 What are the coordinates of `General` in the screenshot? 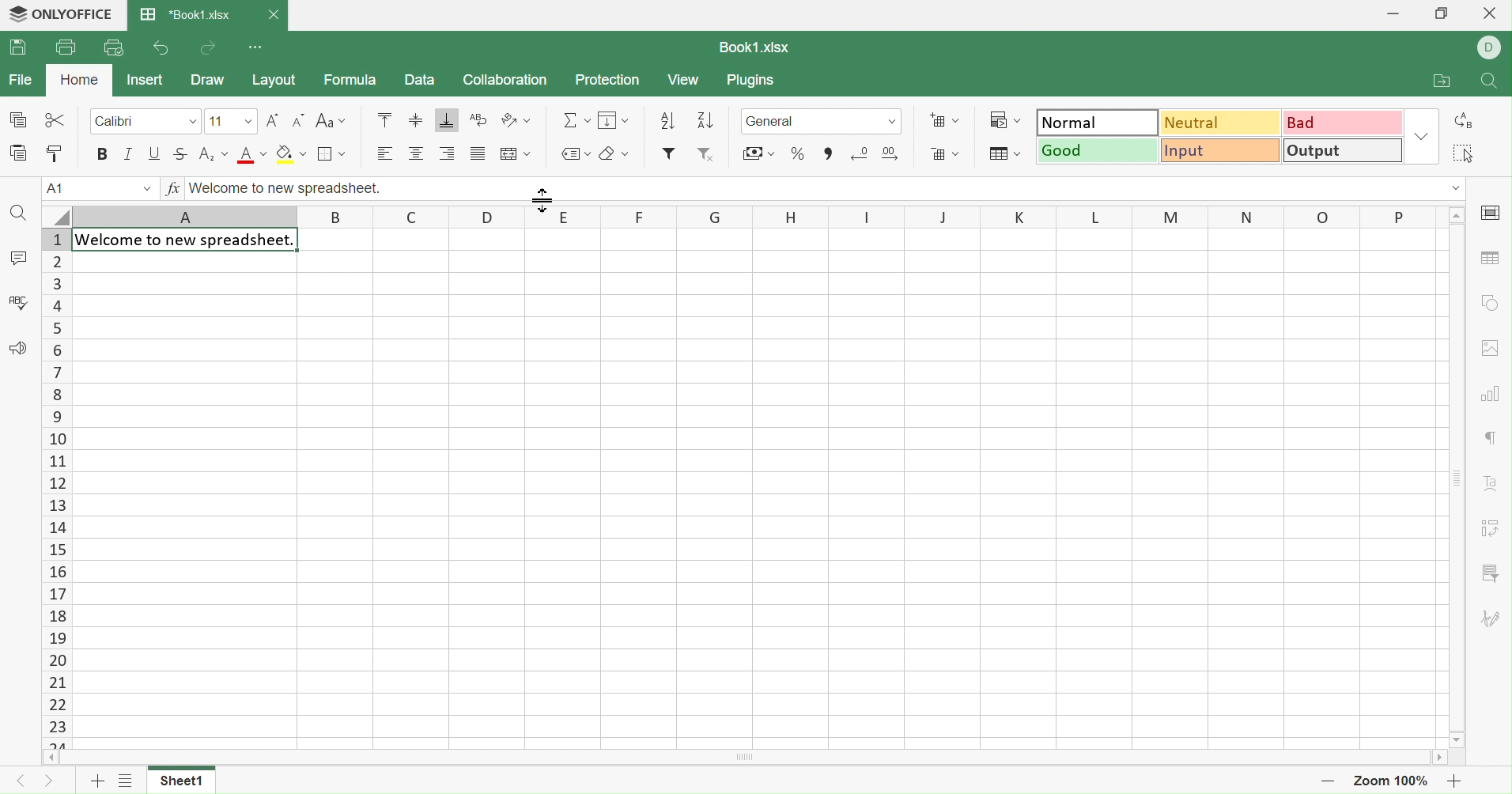 It's located at (822, 119).